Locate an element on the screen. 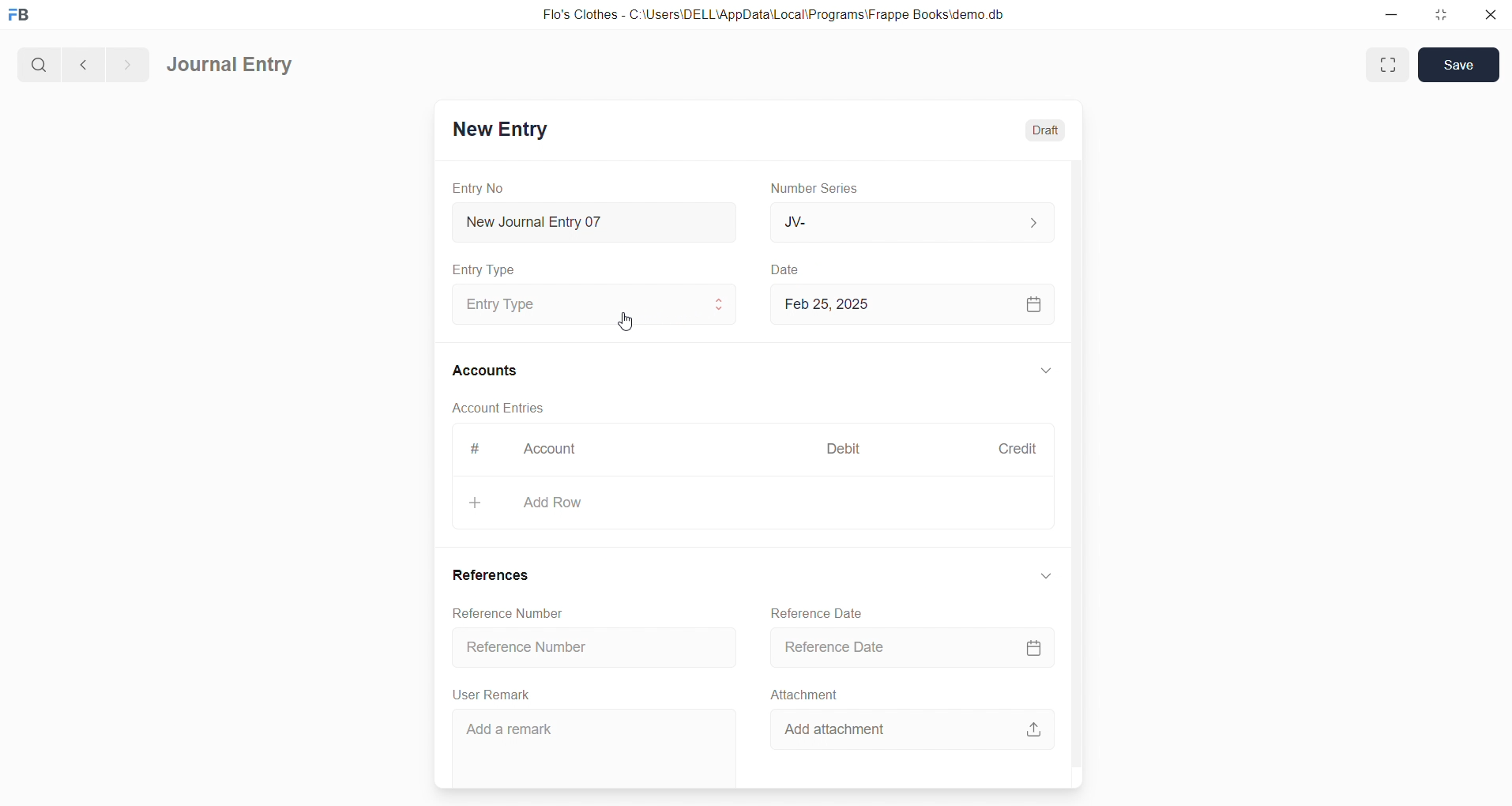  Entry No is located at coordinates (479, 187).